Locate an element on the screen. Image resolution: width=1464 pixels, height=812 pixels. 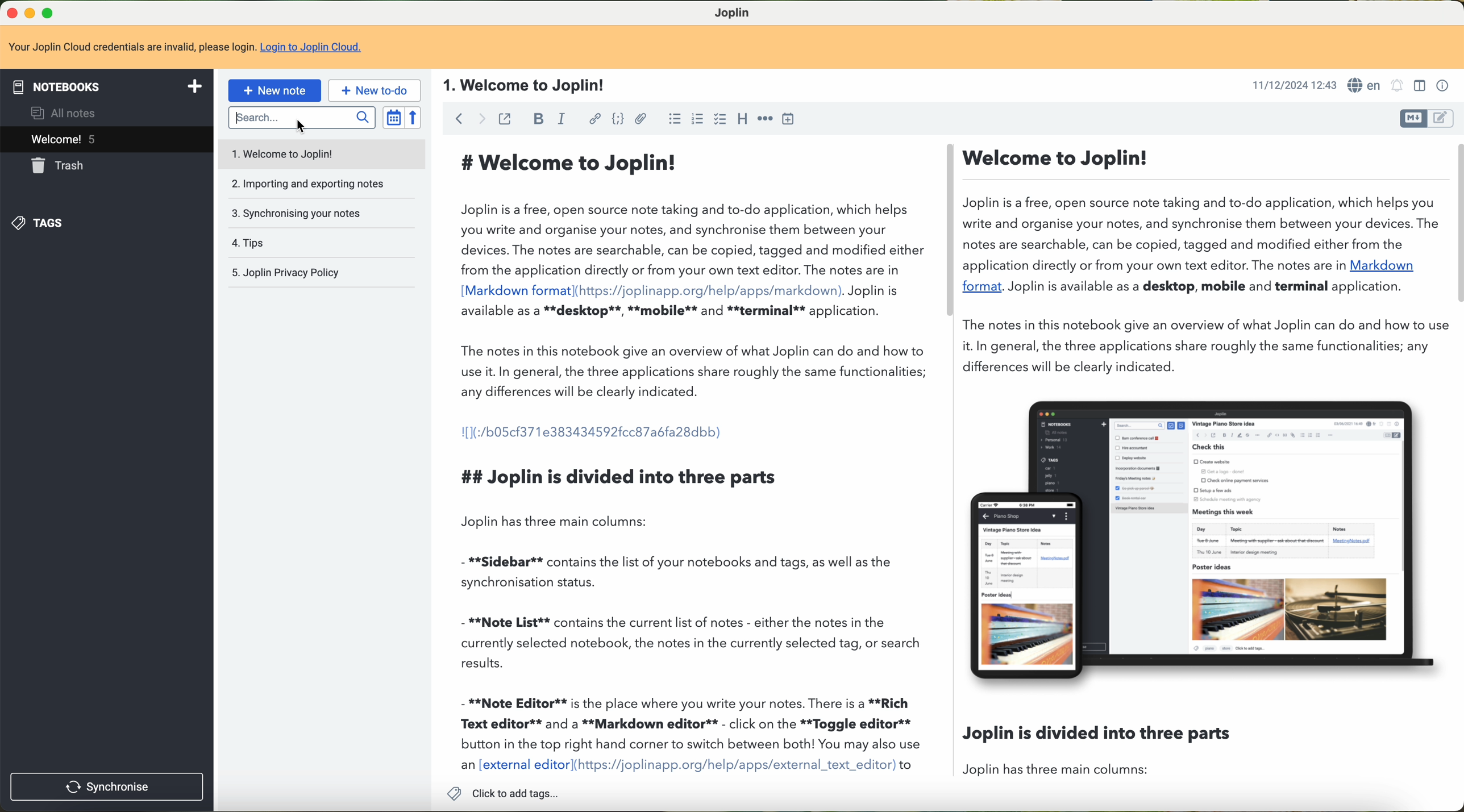
insert time is located at coordinates (788, 118).